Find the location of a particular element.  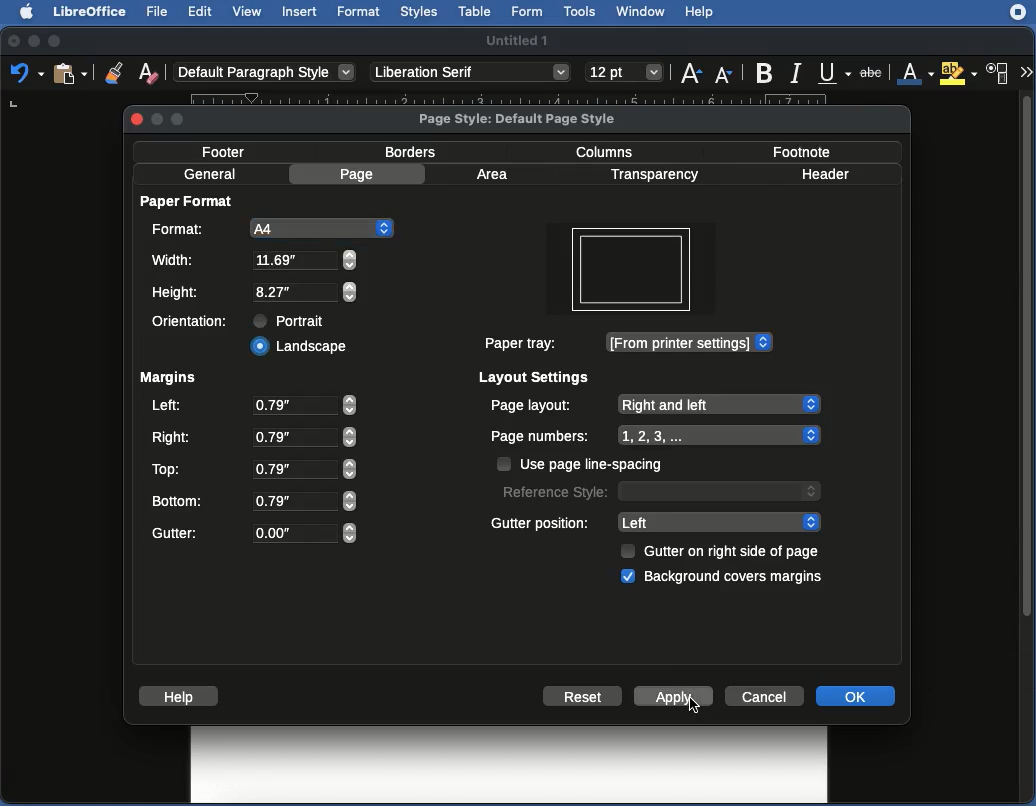

size is located at coordinates (623, 72).